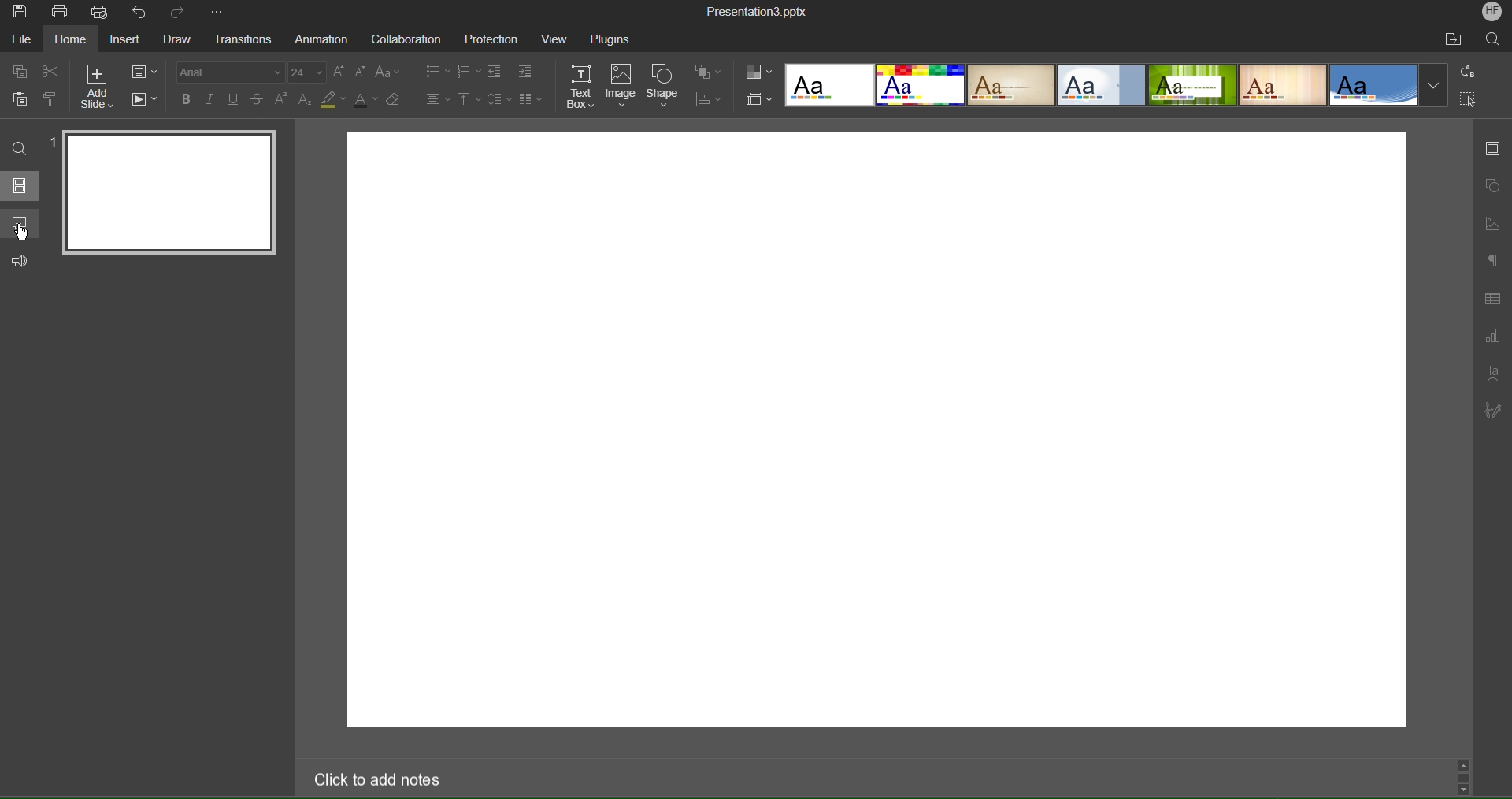 The image size is (1512, 799). Describe the element at coordinates (216, 13) in the screenshot. I see `More` at that location.